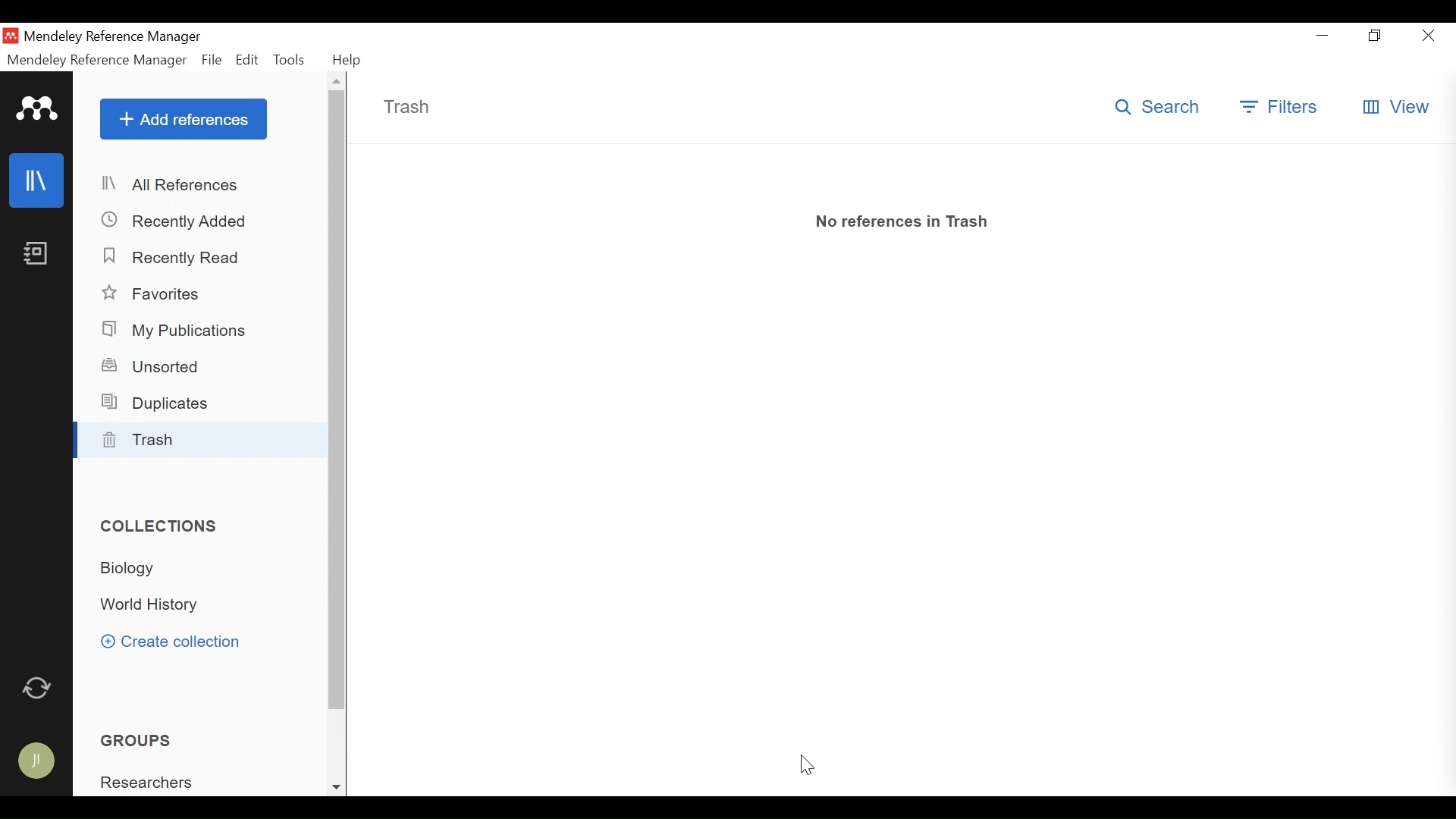  What do you see at coordinates (38, 179) in the screenshot?
I see `Library` at bounding box center [38, 179].